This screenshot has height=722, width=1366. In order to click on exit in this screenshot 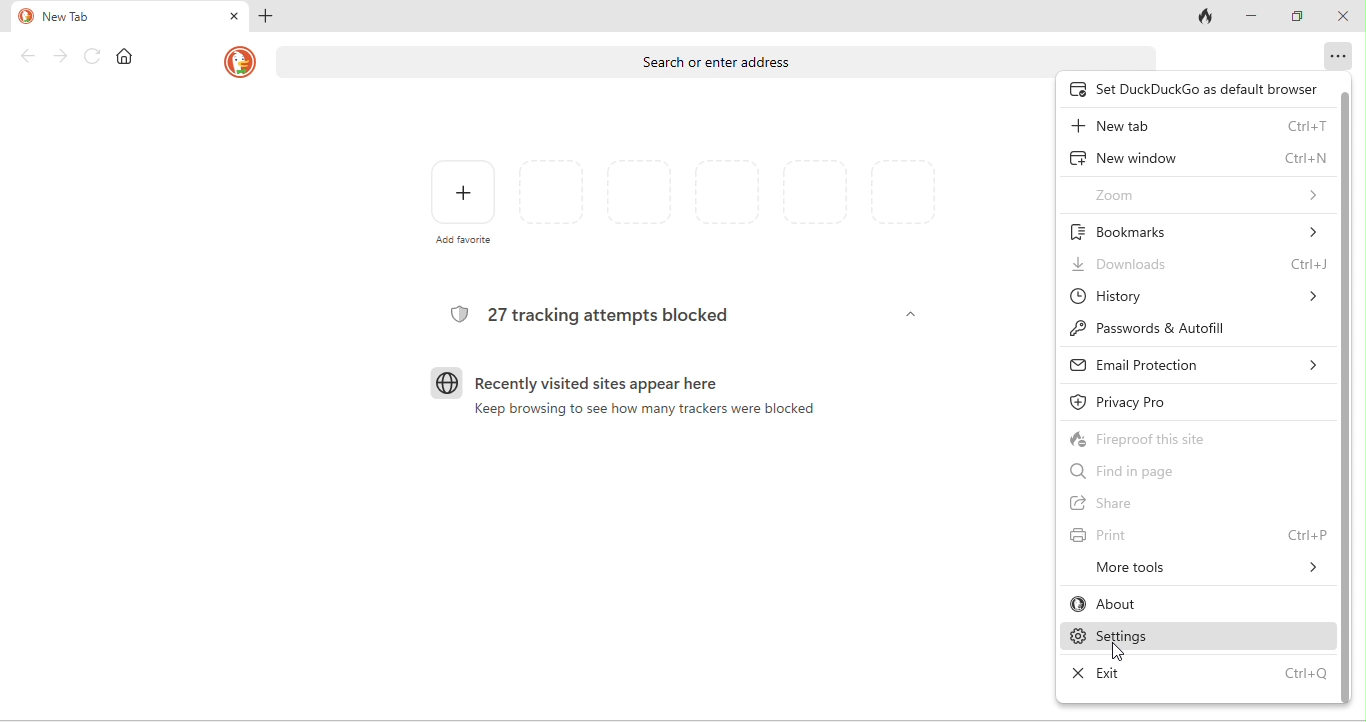, I will do `click(1198, 674)`.